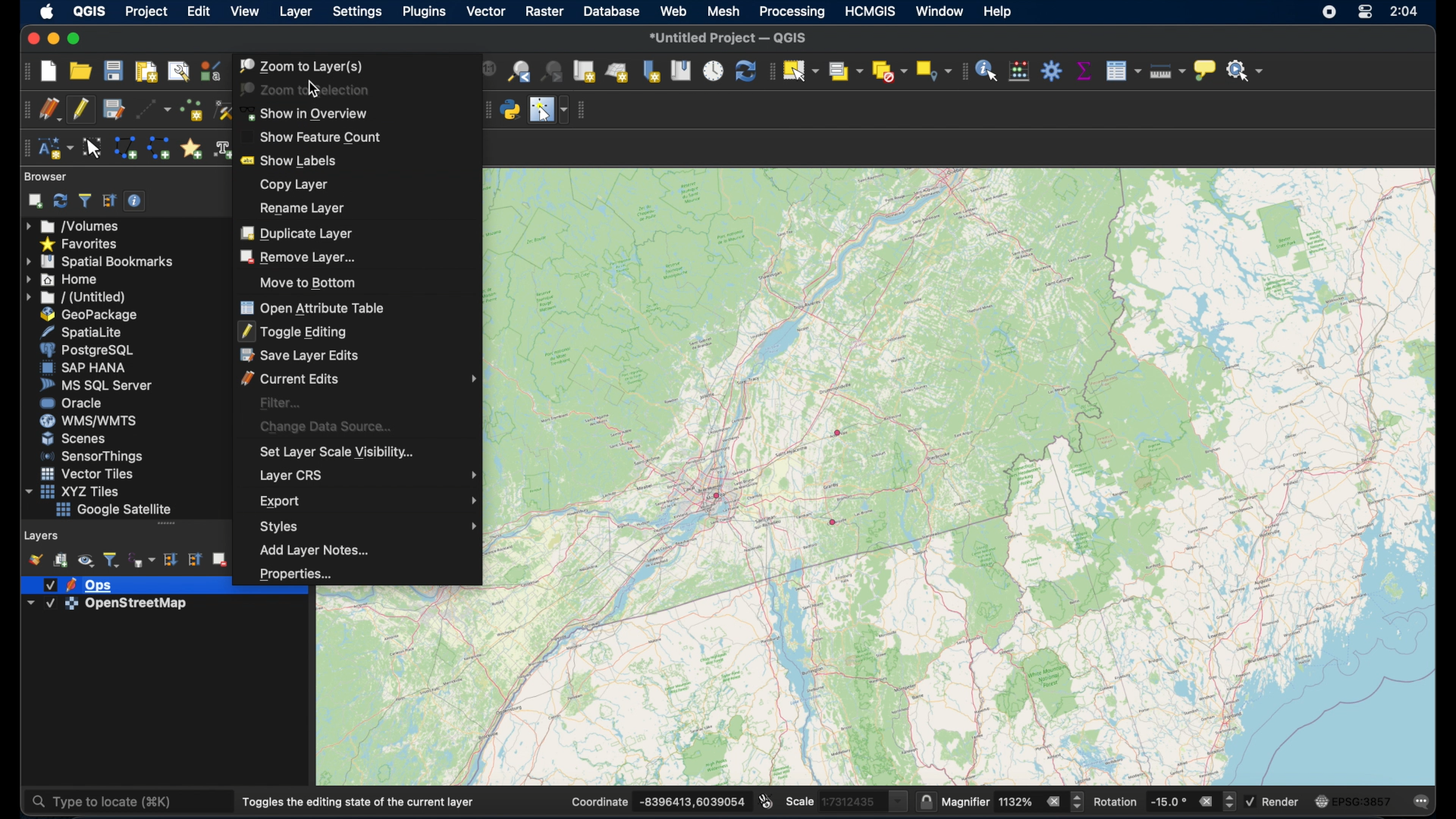 Image resolution: width=1456 pixels, height=819 pixels. Describe the element at coordinates (545, 11) in the screenshot. I see `raster` at that location.